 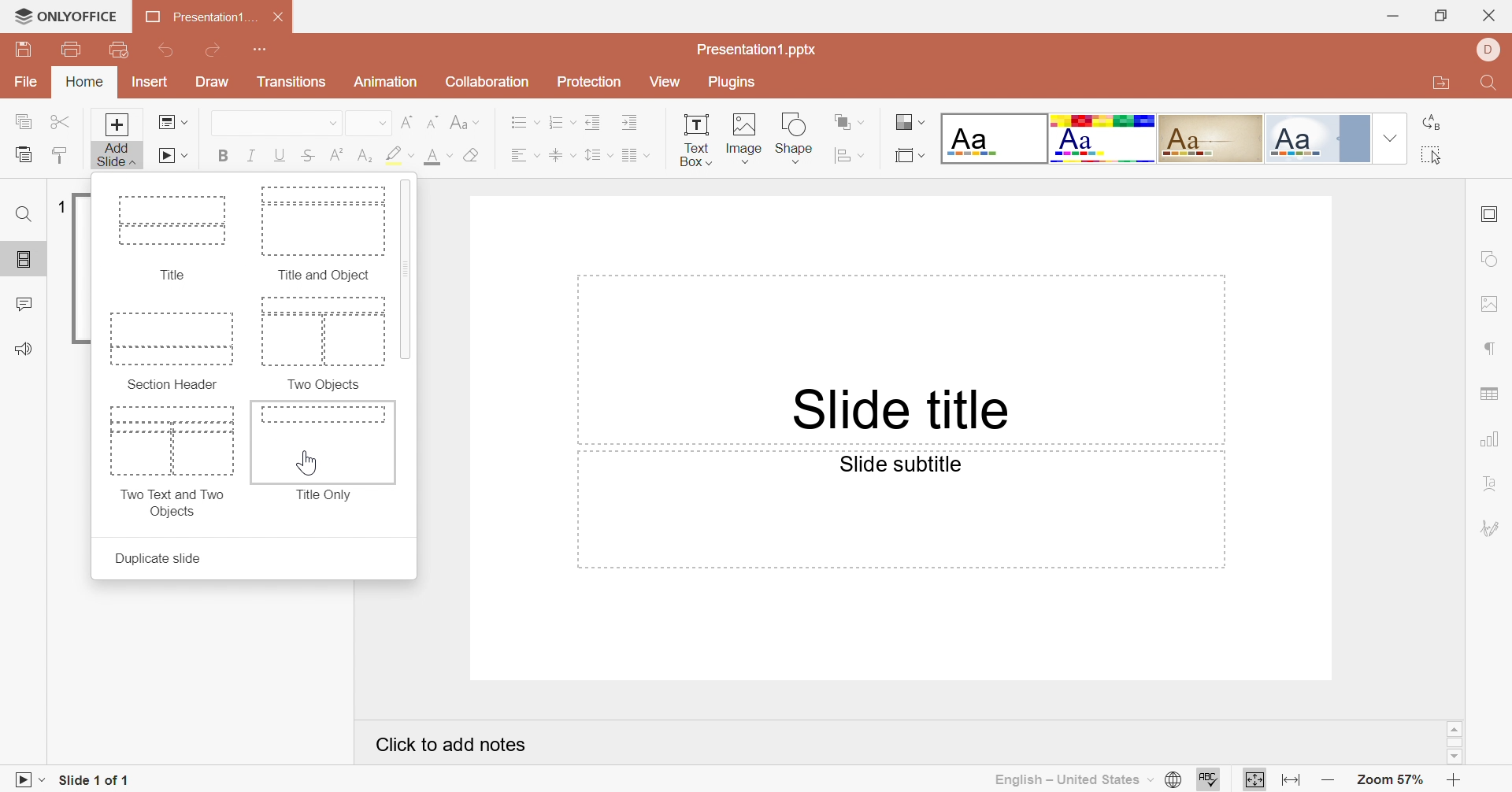 What do you see at coordinates (26, 83) in the screenshot?
I see `File` at bounding box center [26, 83].